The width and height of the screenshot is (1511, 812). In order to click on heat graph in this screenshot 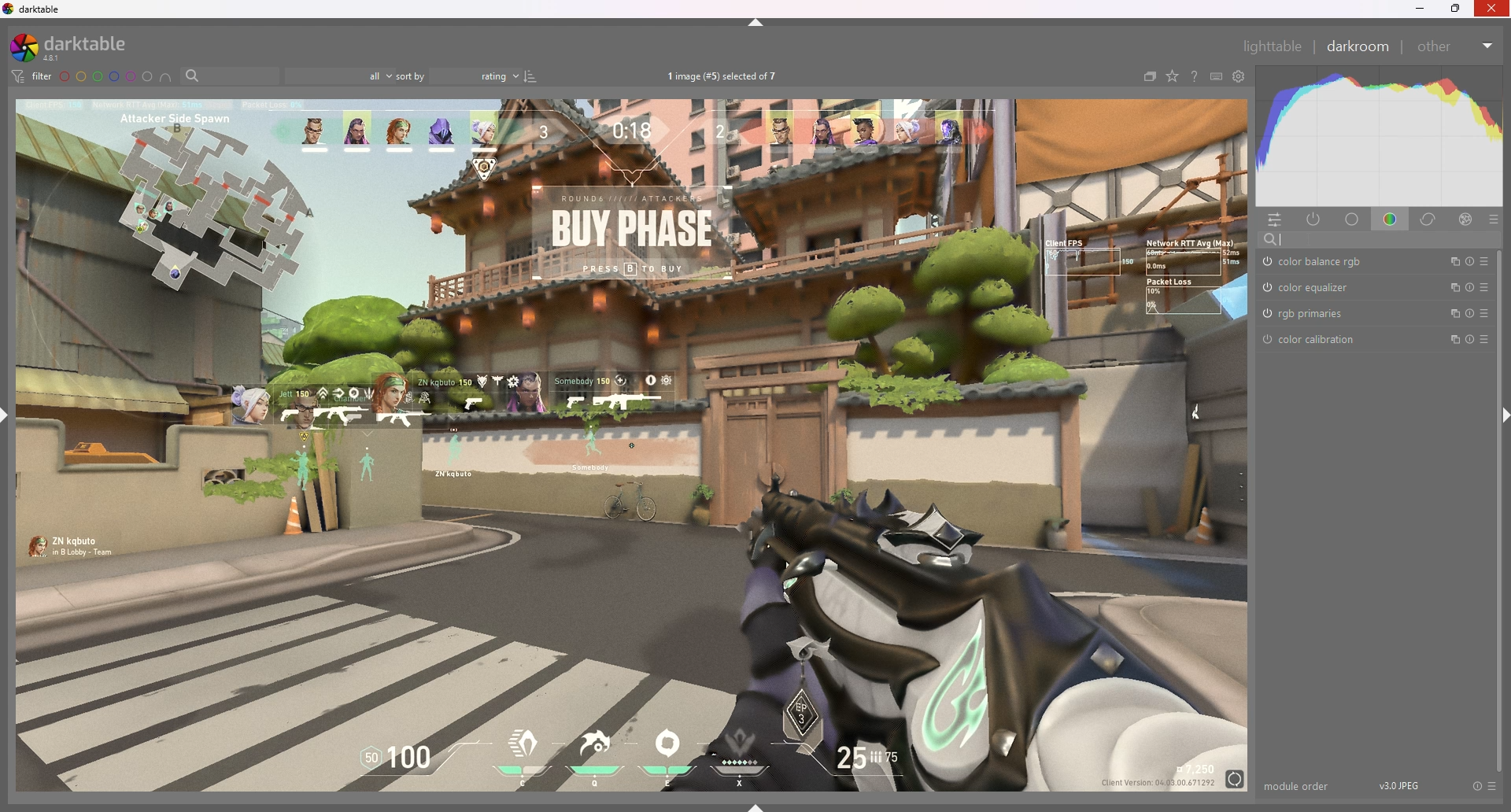, I will do `click(1378, 137)`.